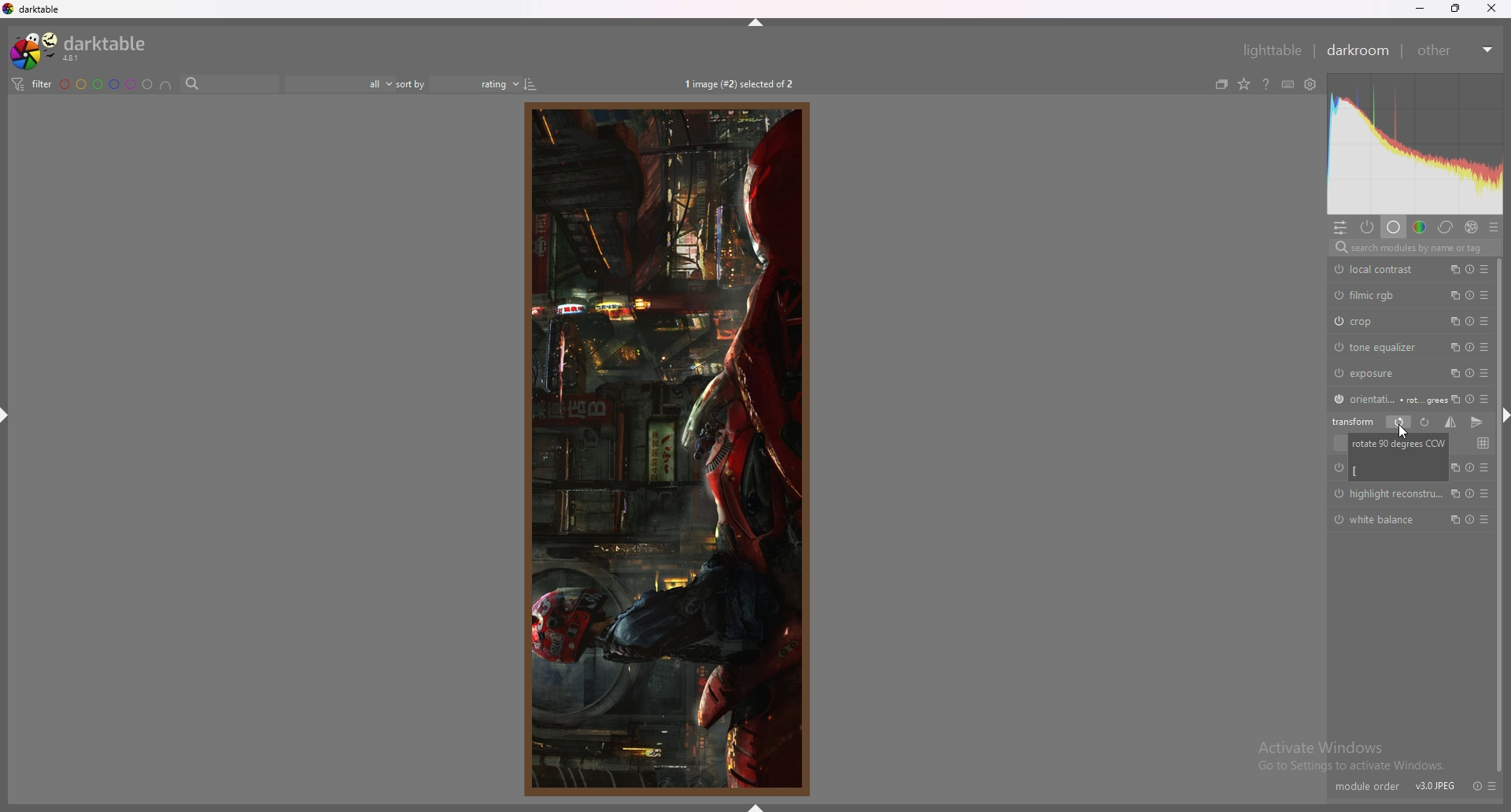 The width and height of the screenshot is (1511, 812). Describe the element at coordinates (1470, 372) in the screenshot. I see `reset` at that location.